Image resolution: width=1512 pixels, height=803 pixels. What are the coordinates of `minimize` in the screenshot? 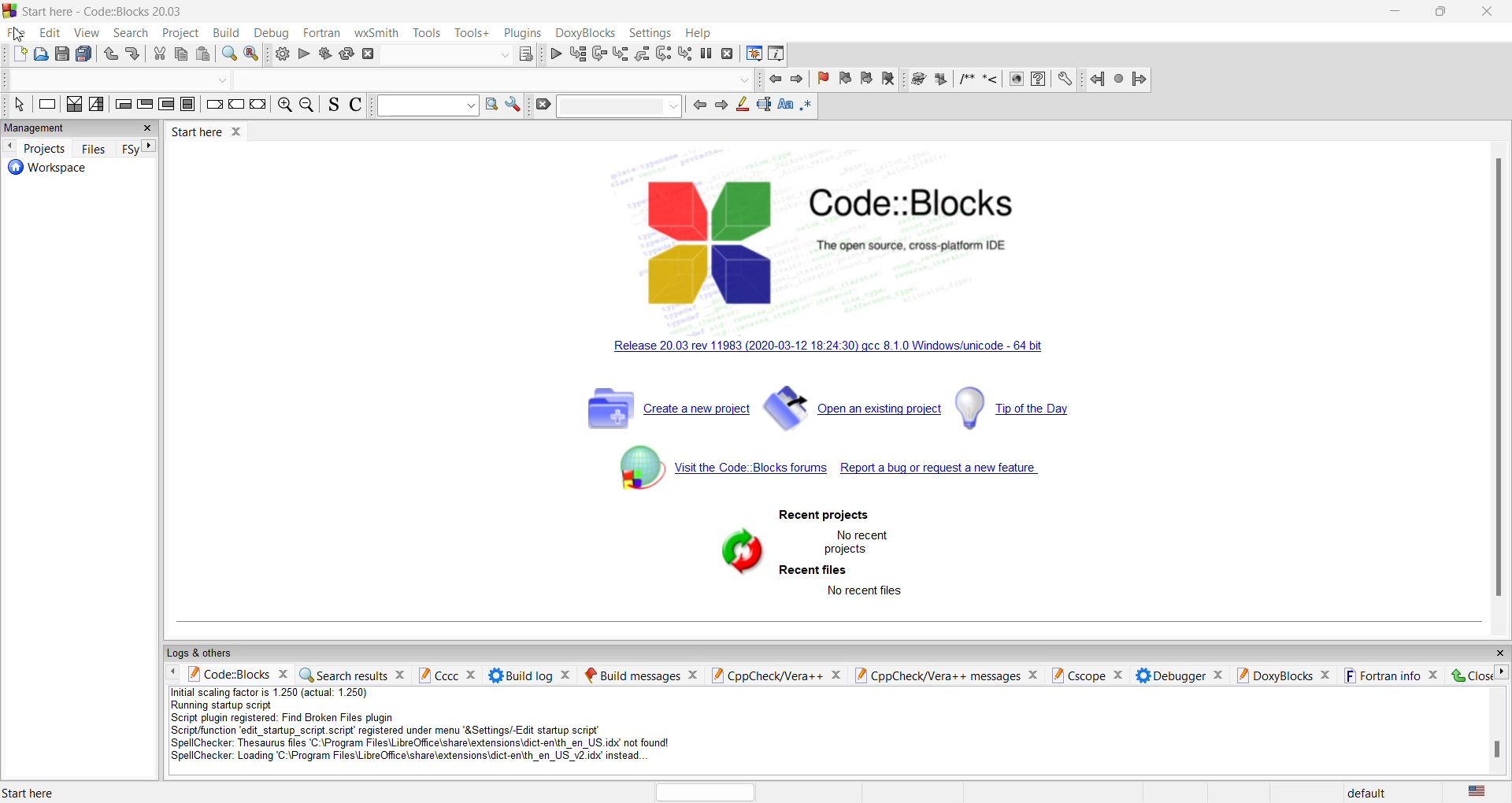 It's located at (1397, 12).